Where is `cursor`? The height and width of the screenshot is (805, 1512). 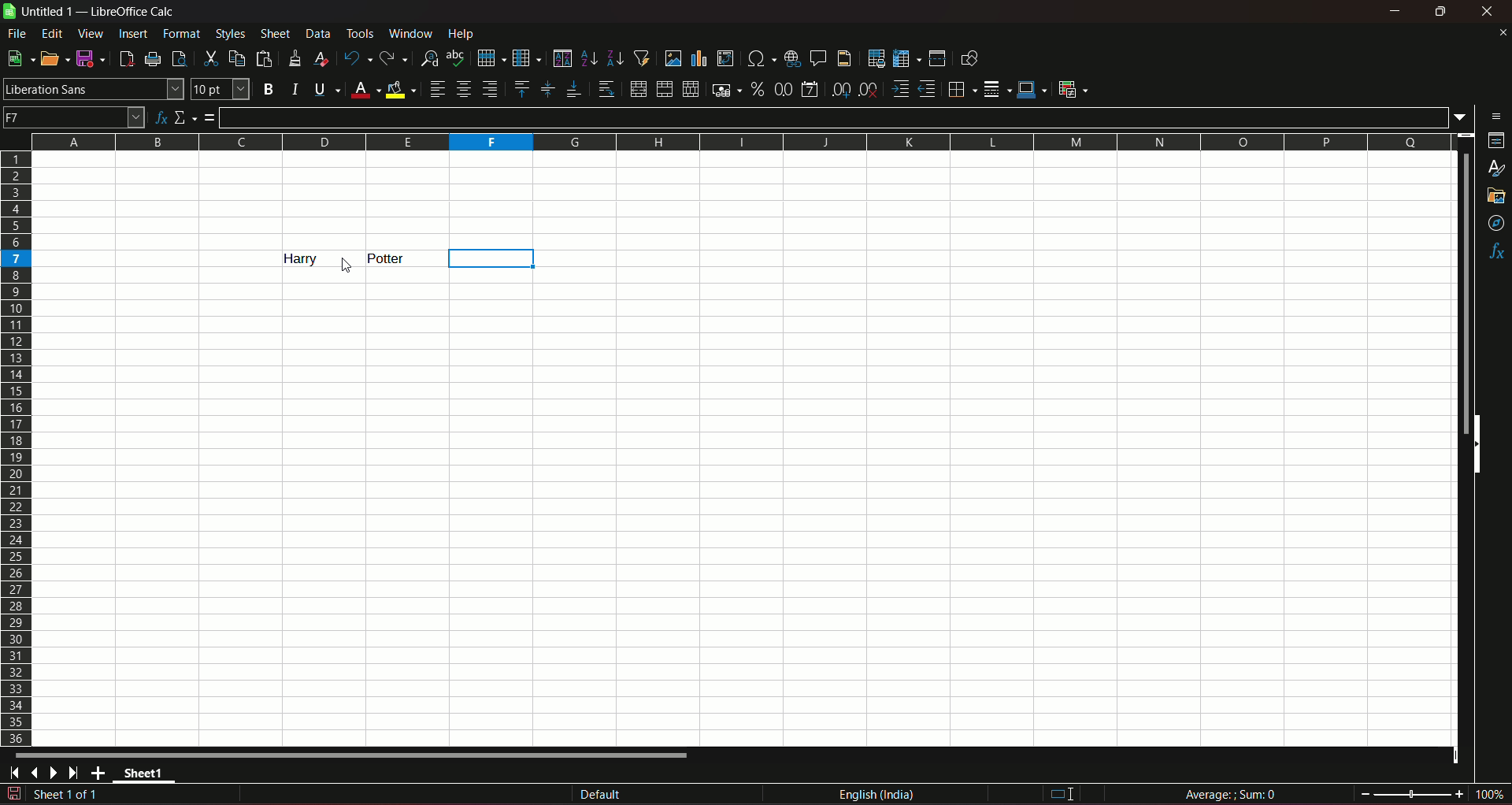 cursor is located at coordinates (346, 266).